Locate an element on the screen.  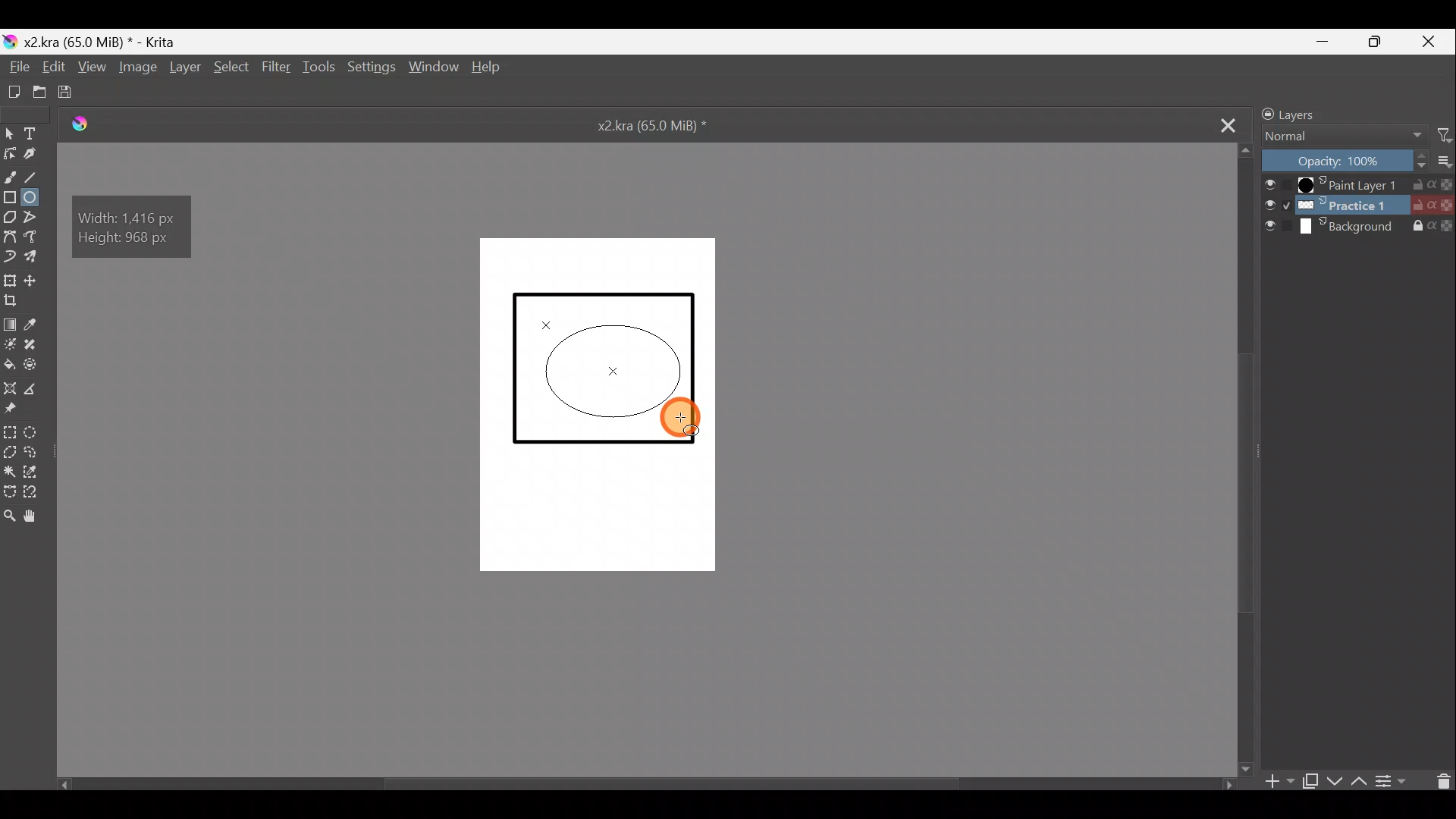
Close is located at coordinates (1434, 41).